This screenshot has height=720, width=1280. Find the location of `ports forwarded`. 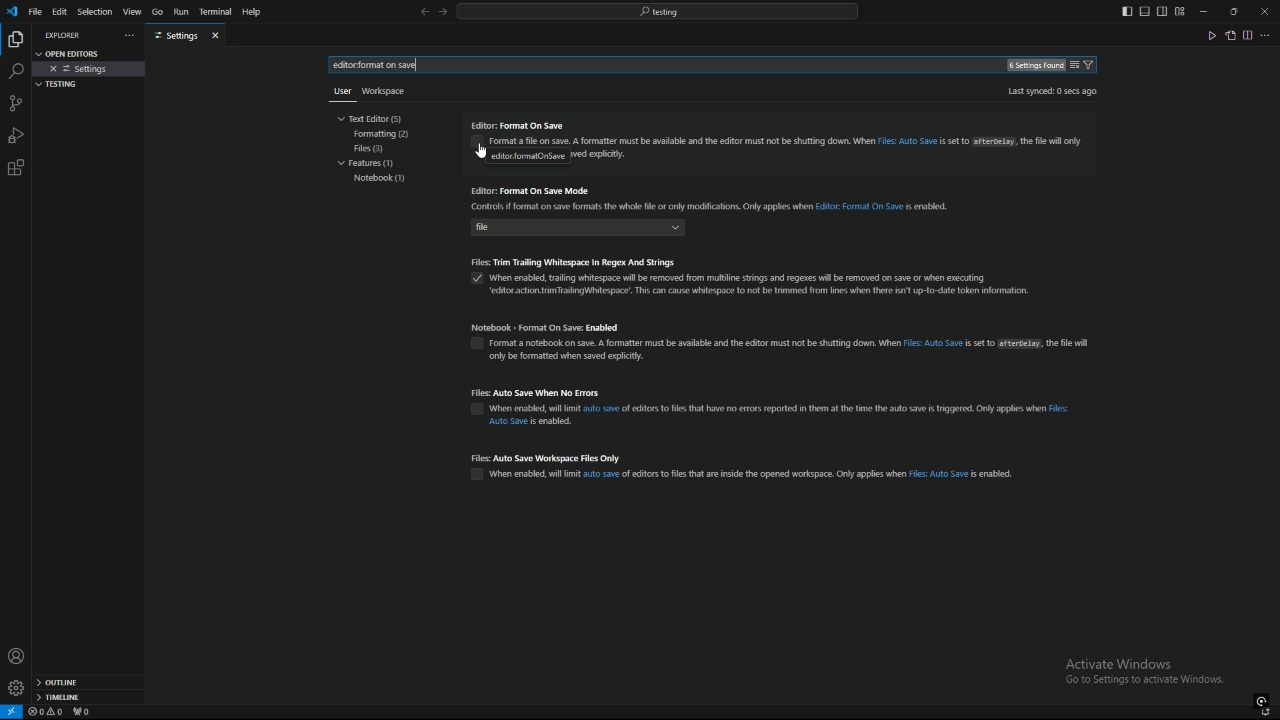

ports forwarded is located at coordinates (85, 713).